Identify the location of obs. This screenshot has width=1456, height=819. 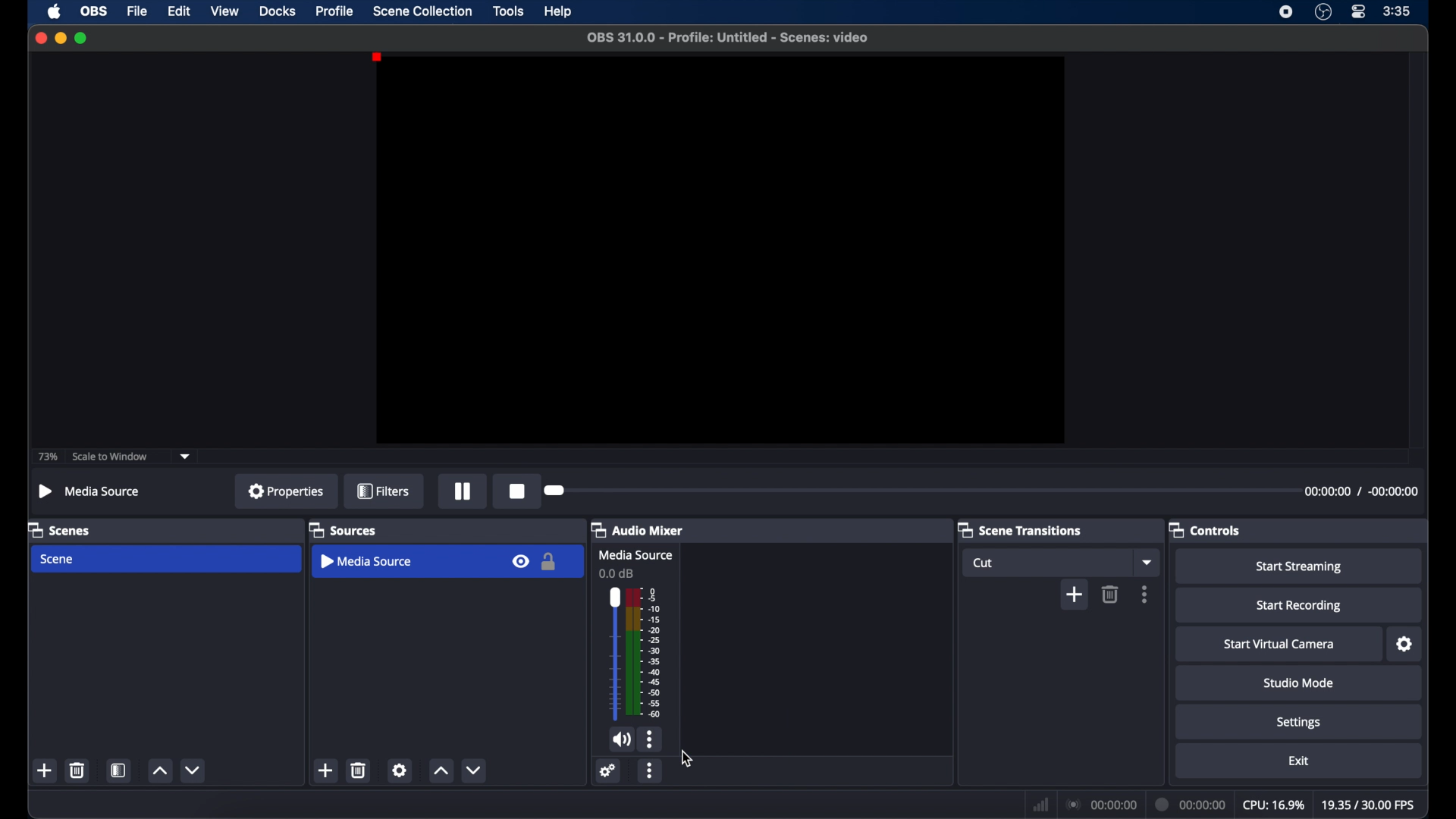
(93, 11).